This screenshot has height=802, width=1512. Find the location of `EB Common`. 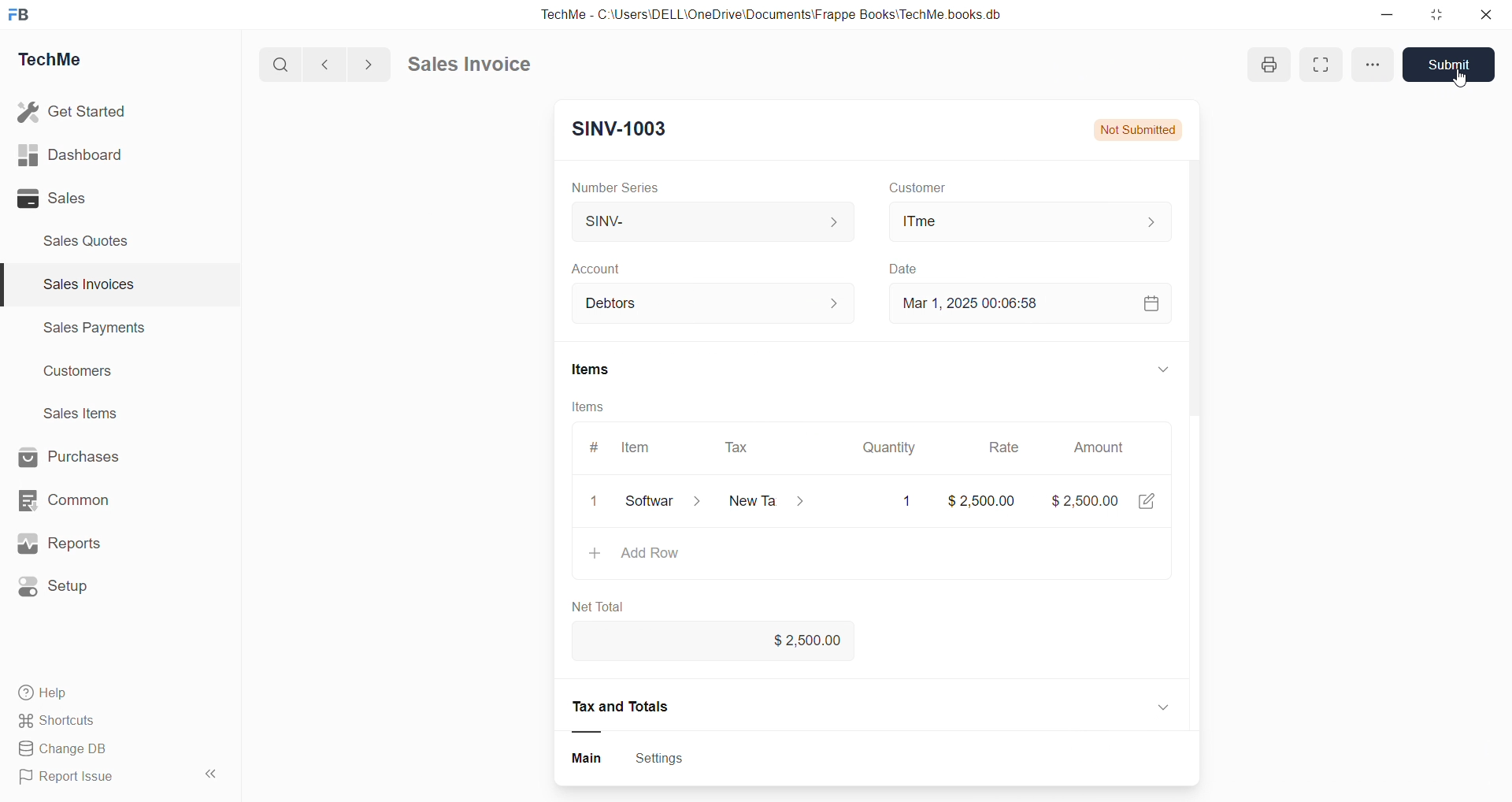

EB Common is located at coordinates (80, 499).